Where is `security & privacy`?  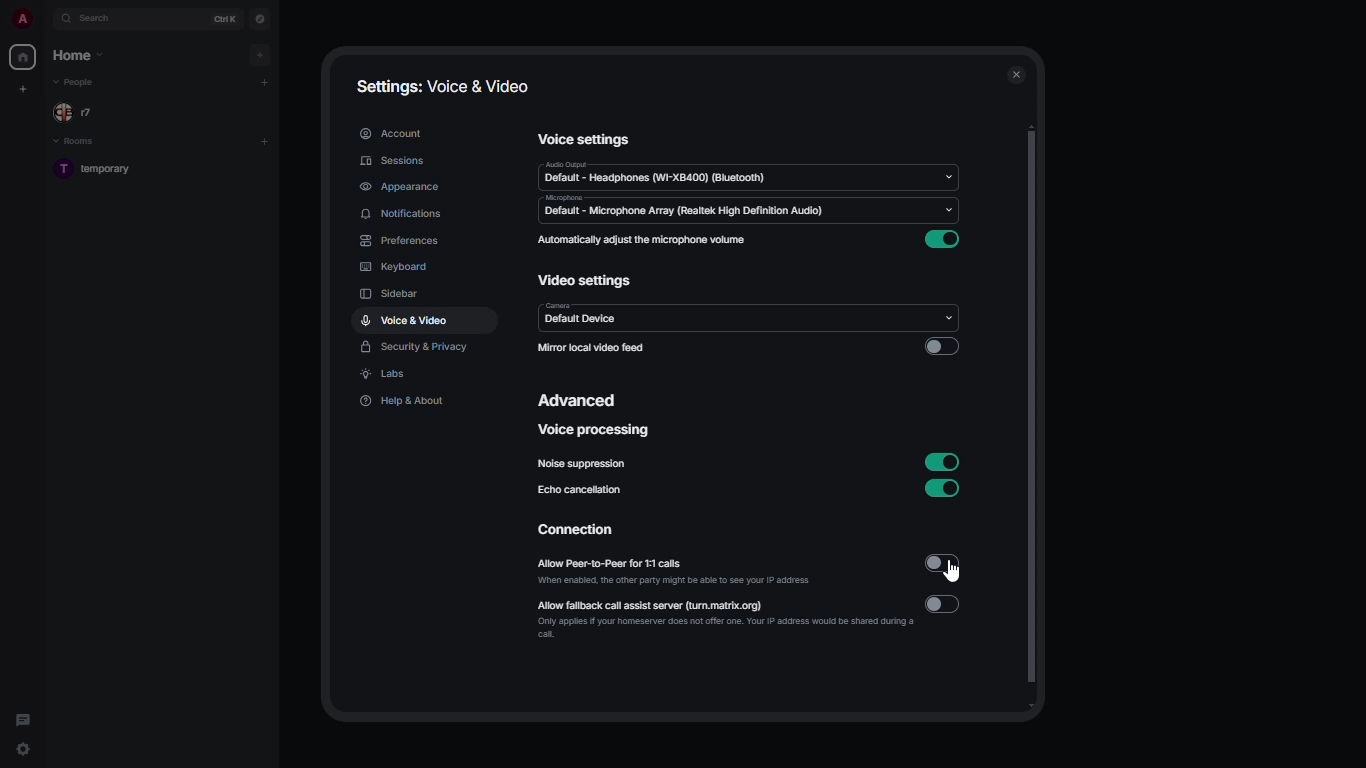
security & privacy is located at coordinates (416, 348).